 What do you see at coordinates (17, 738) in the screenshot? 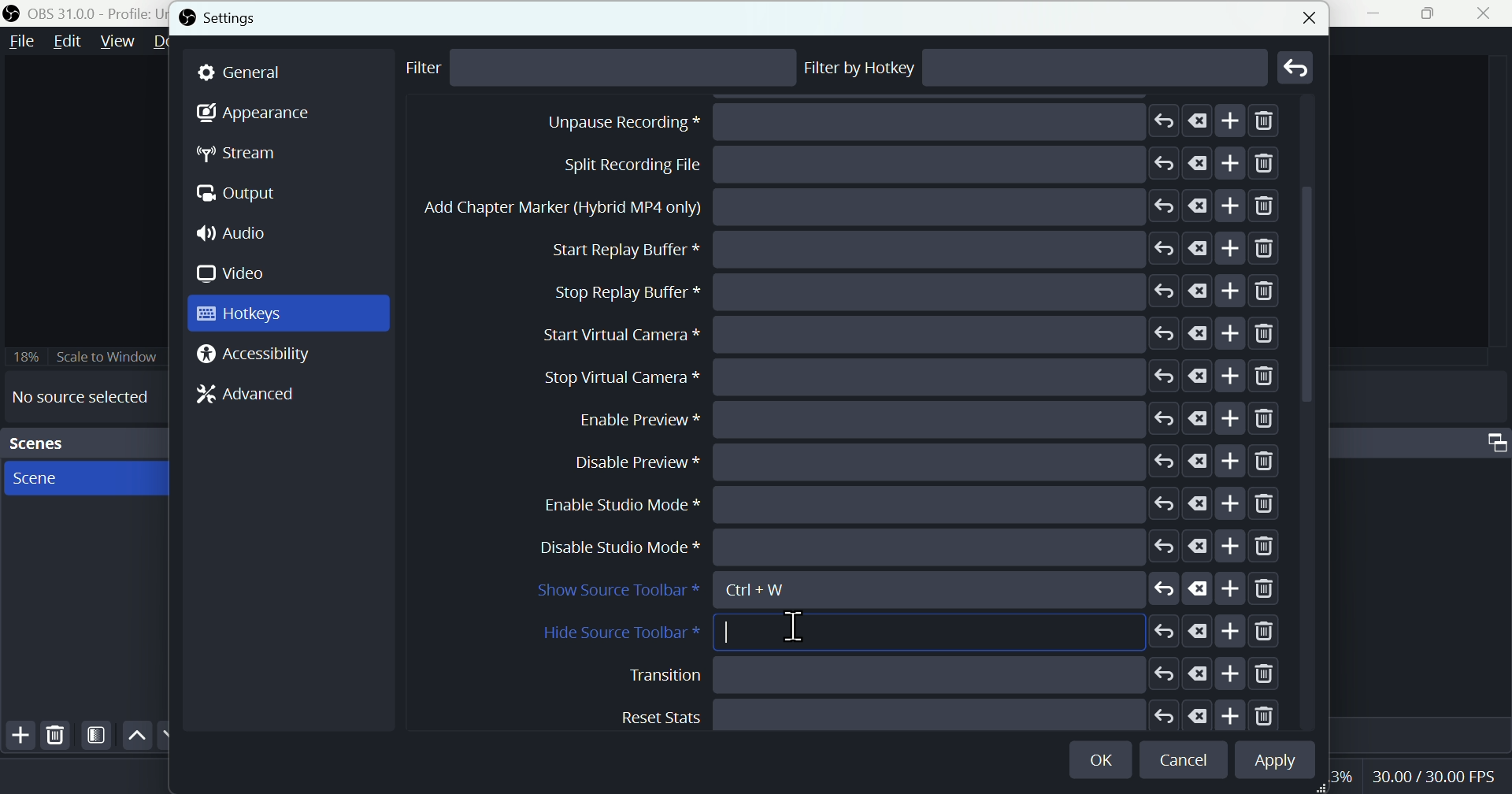
I see `Add` at bounding box center [17, 738].